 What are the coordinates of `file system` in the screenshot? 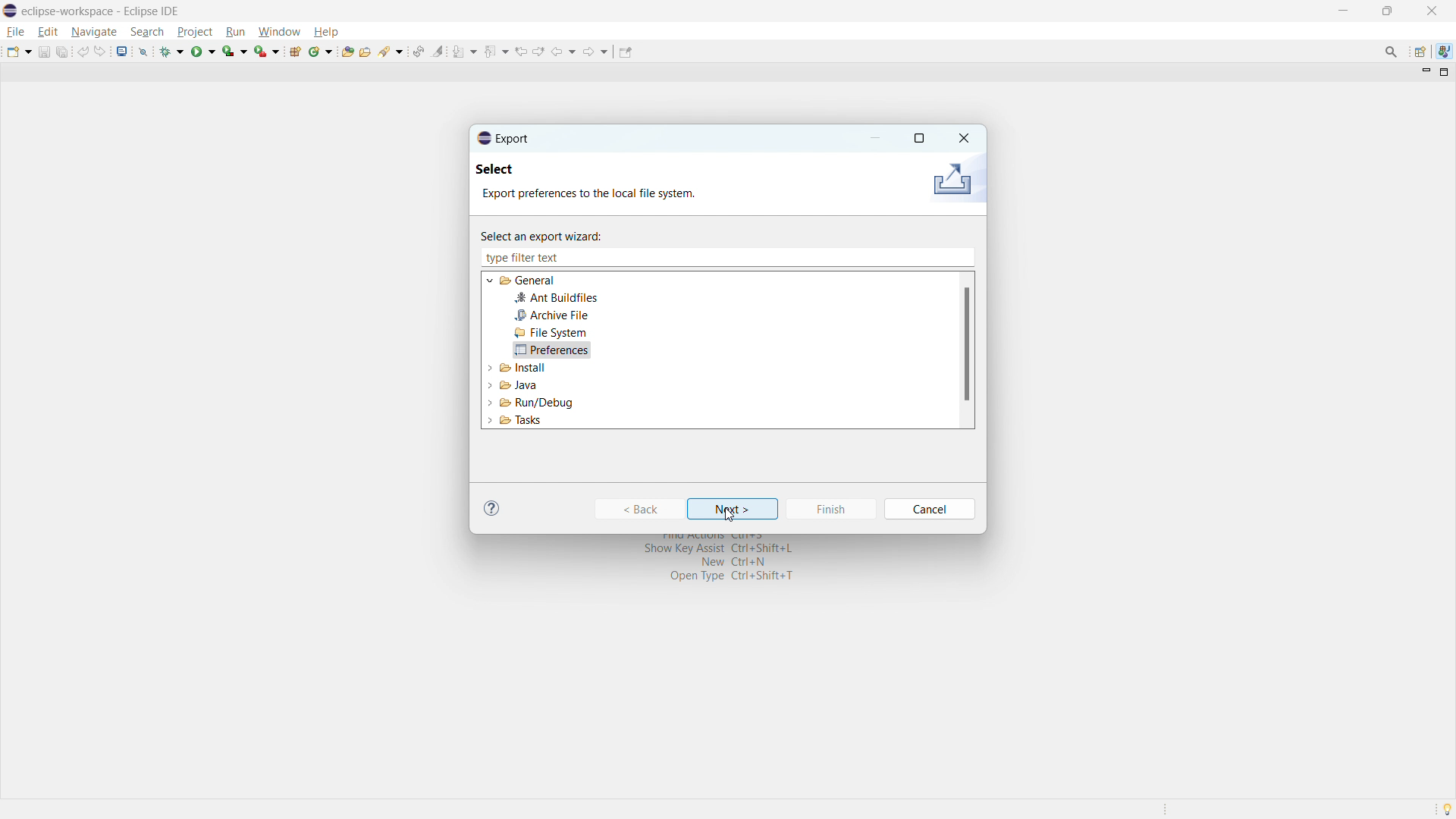 It's located at (551, 333).